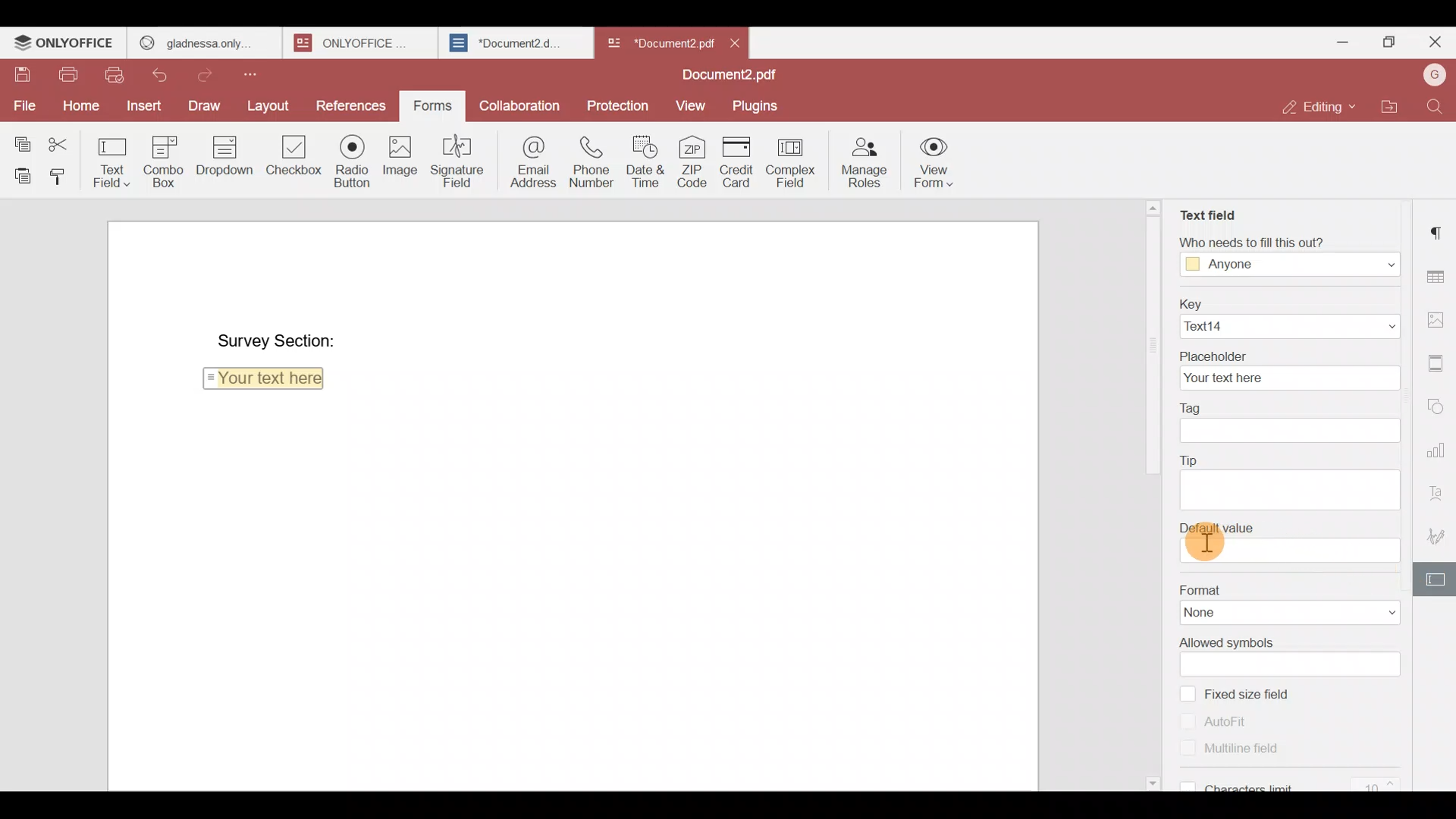  I want to click on textbox, so click(1292, 551).